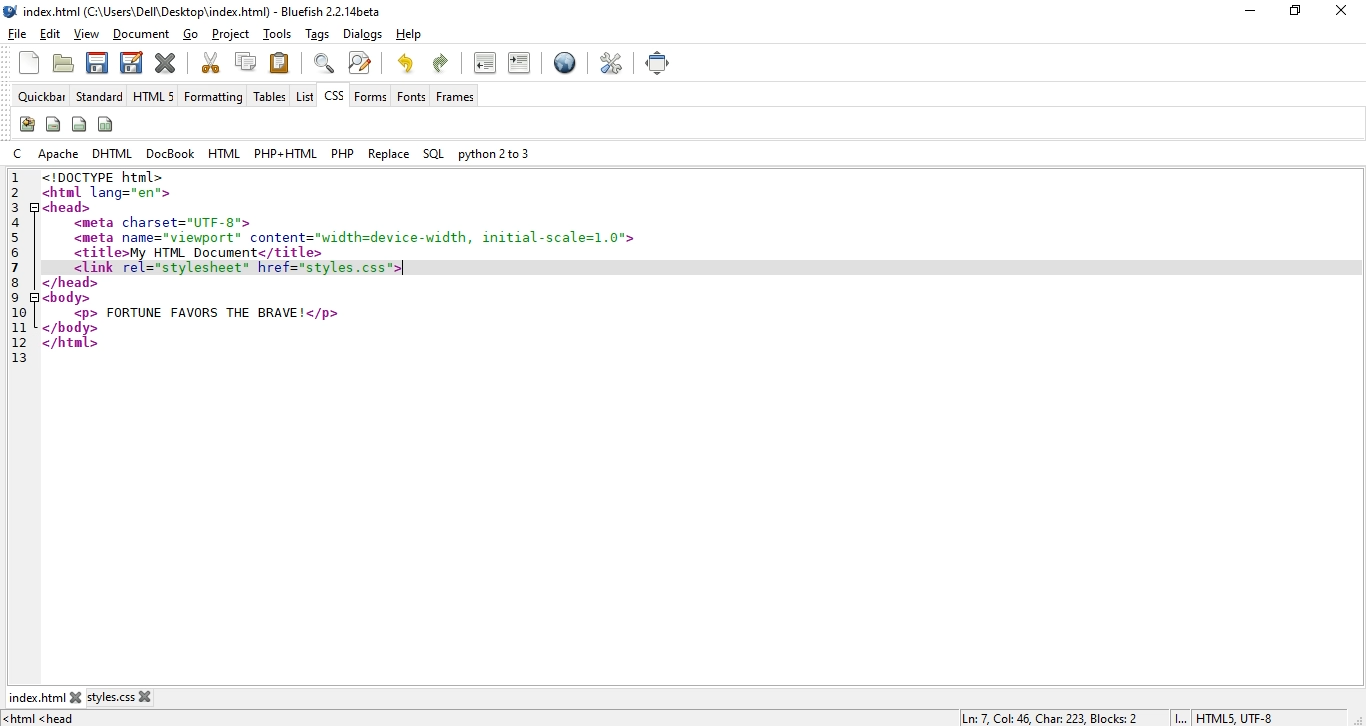  Describe the element at coordinates (88, 34) in the screenshot. I see `view` at that location.